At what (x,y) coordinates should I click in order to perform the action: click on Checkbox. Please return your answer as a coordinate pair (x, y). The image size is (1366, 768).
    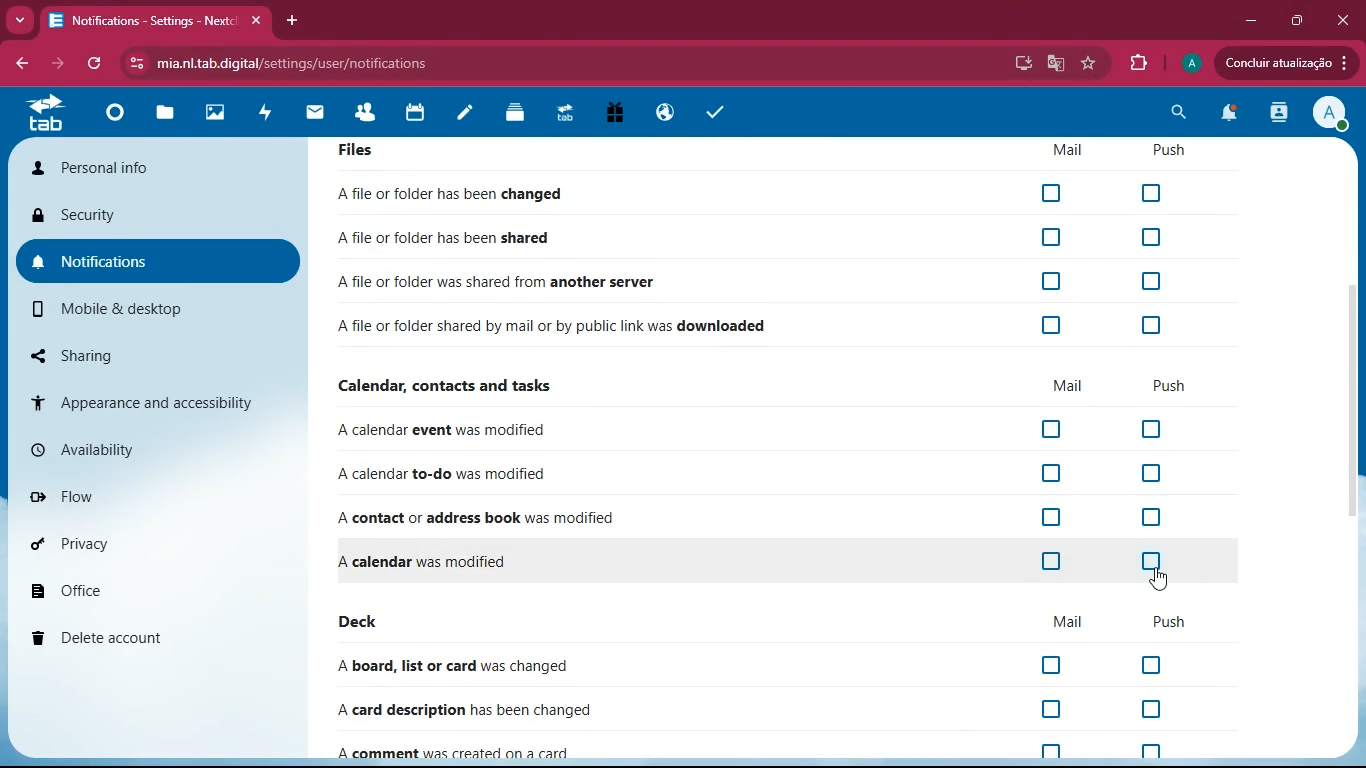
    Looking at the image, I should click on (1157, 326).